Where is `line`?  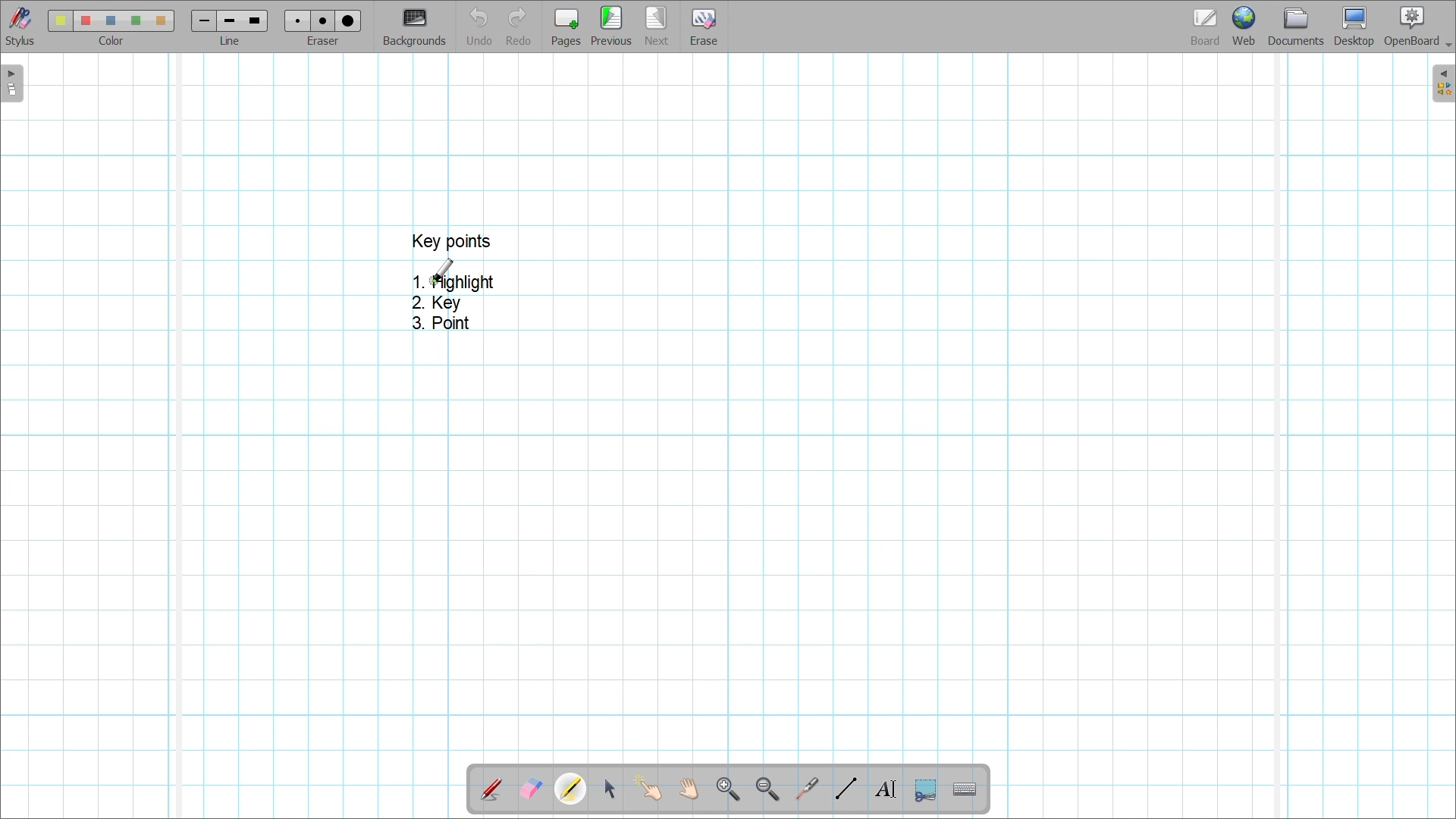
line is located at coordinates (234, 42).